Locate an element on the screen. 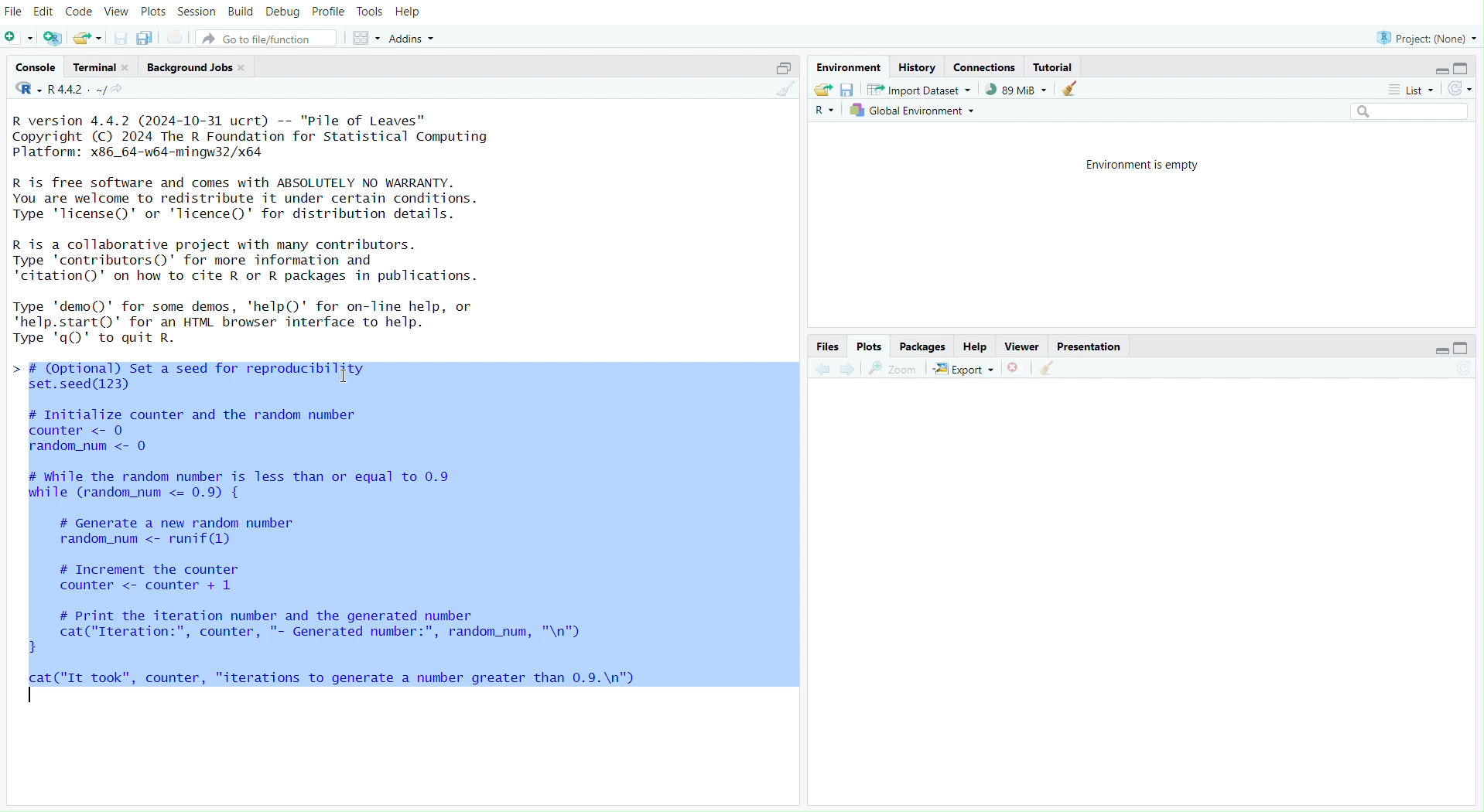  Load workspace is located at coordinates (824, 90).